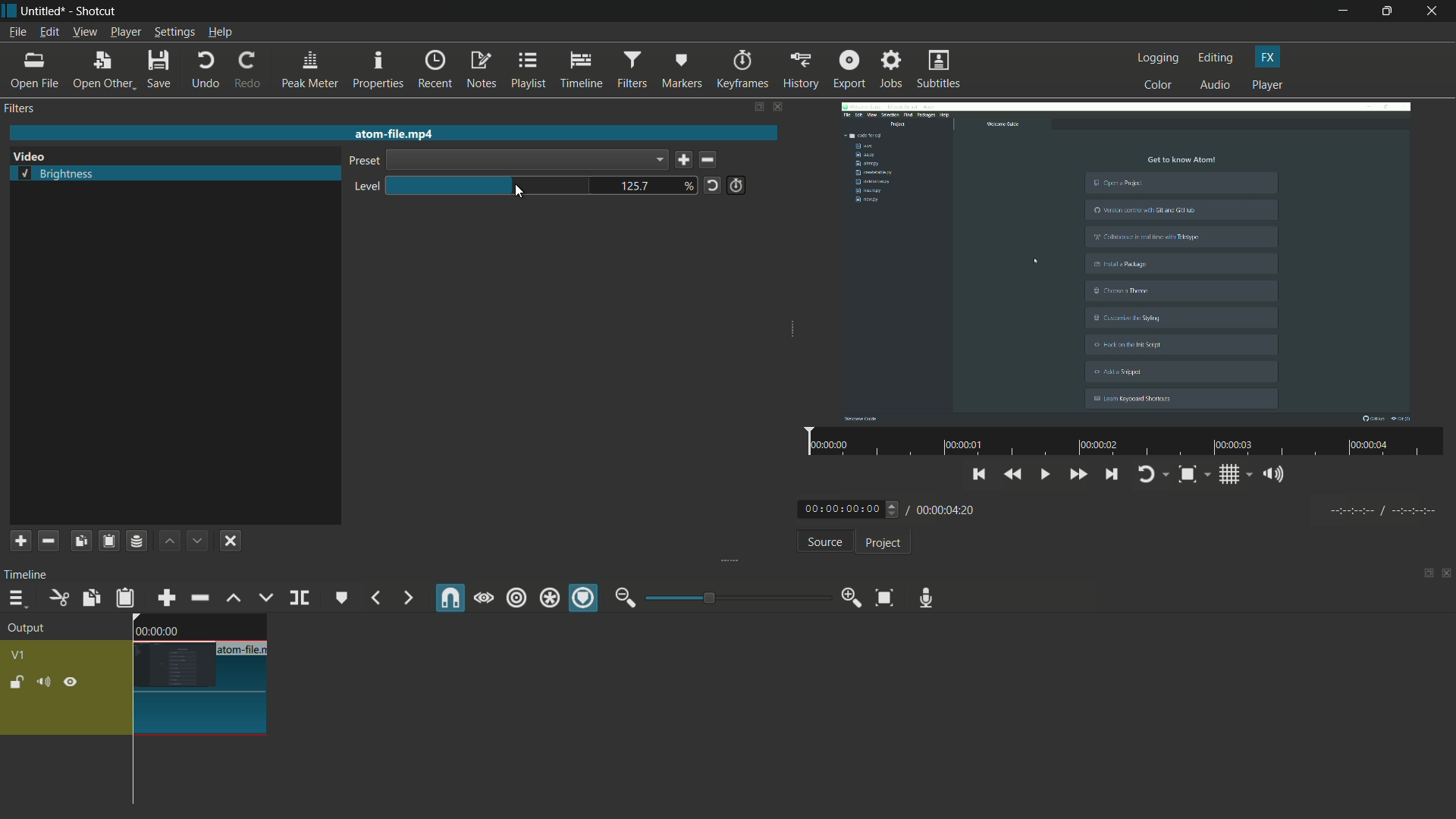 The width and height of the screenshot is (1456, 819). I want to click on paste filters, so click(108, 541).